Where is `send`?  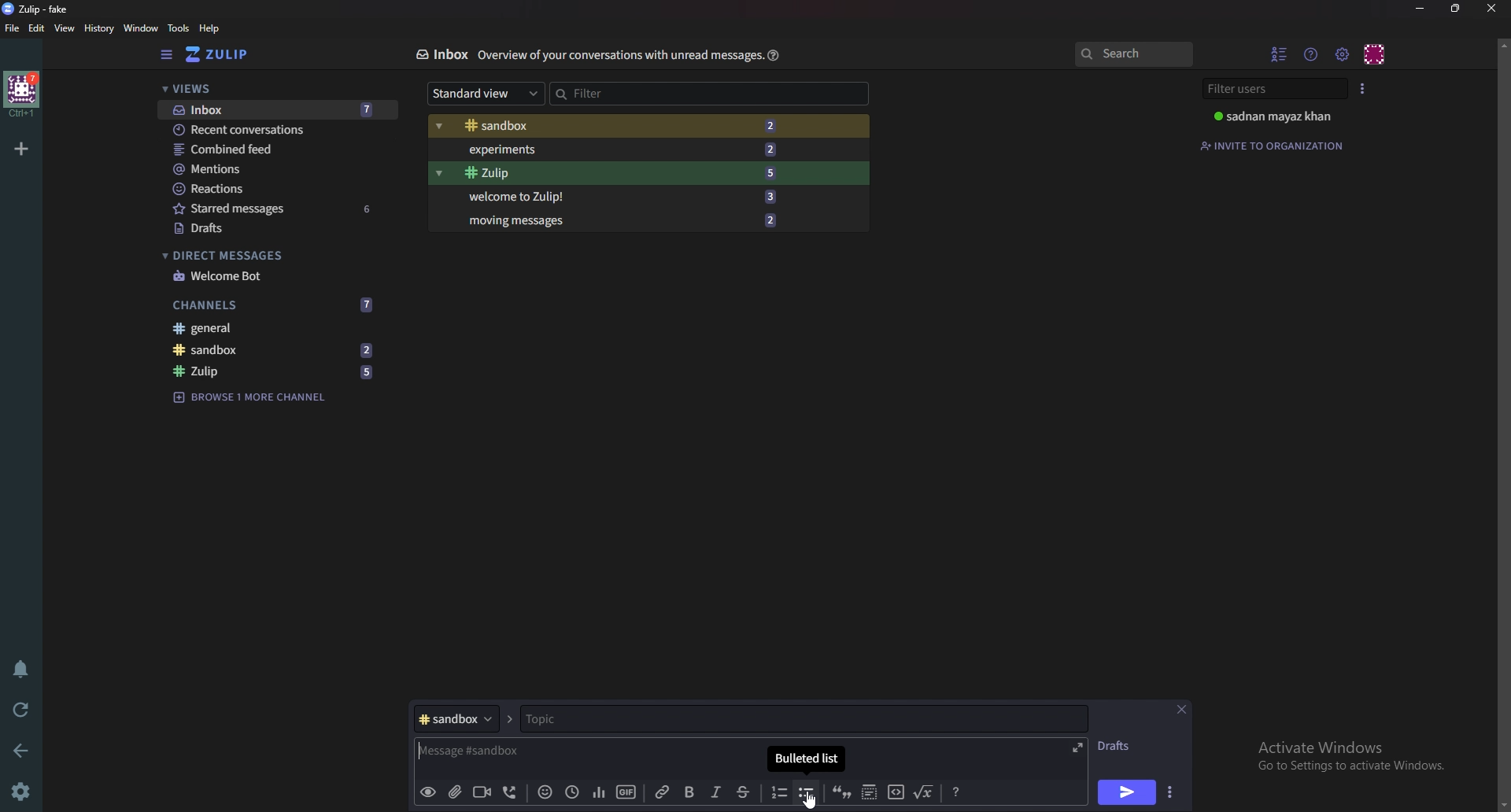 send is located at coordinates (1125, 794).